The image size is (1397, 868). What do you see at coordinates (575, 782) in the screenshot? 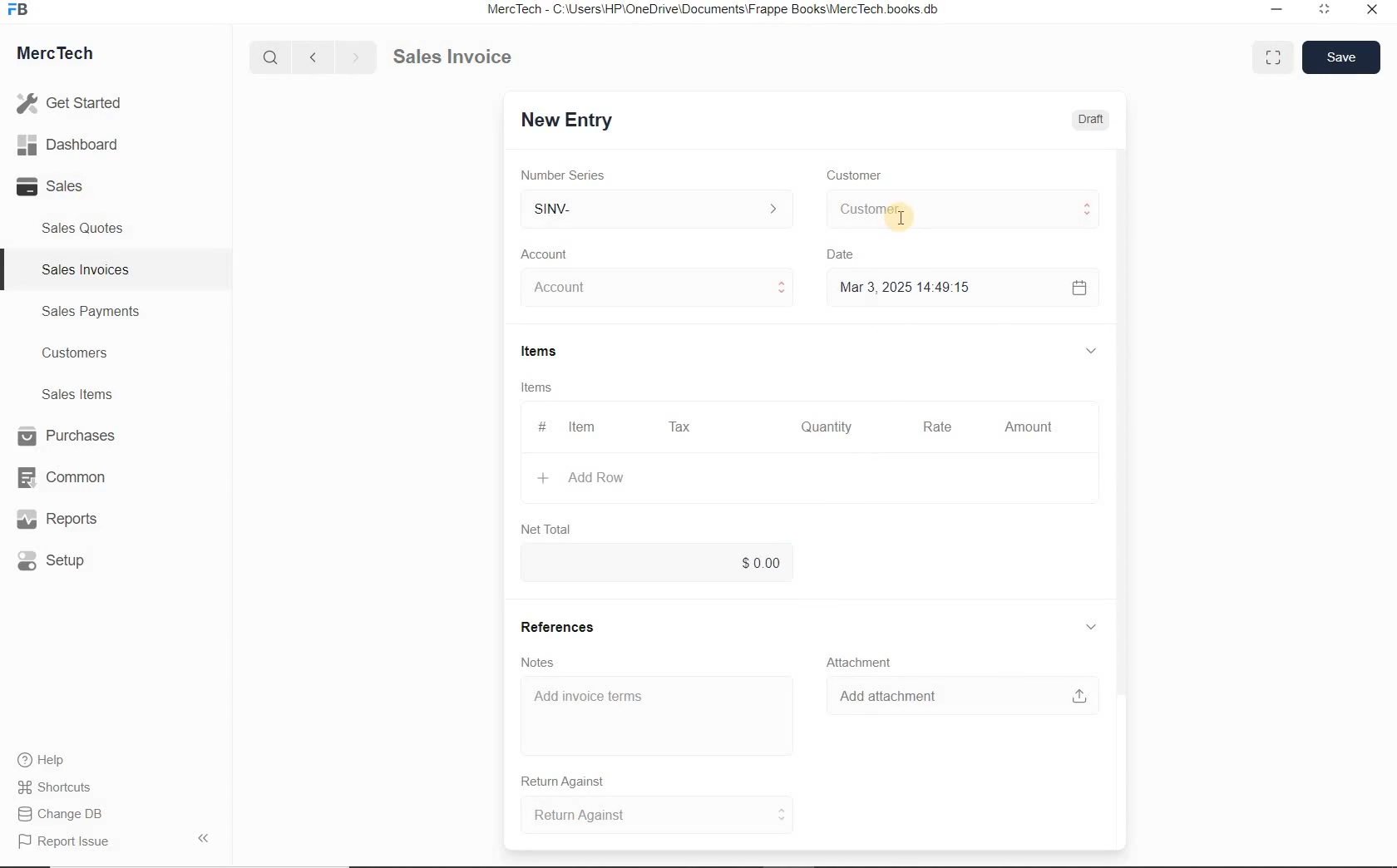
I see `Return Against` at bounding box center [575, 782].